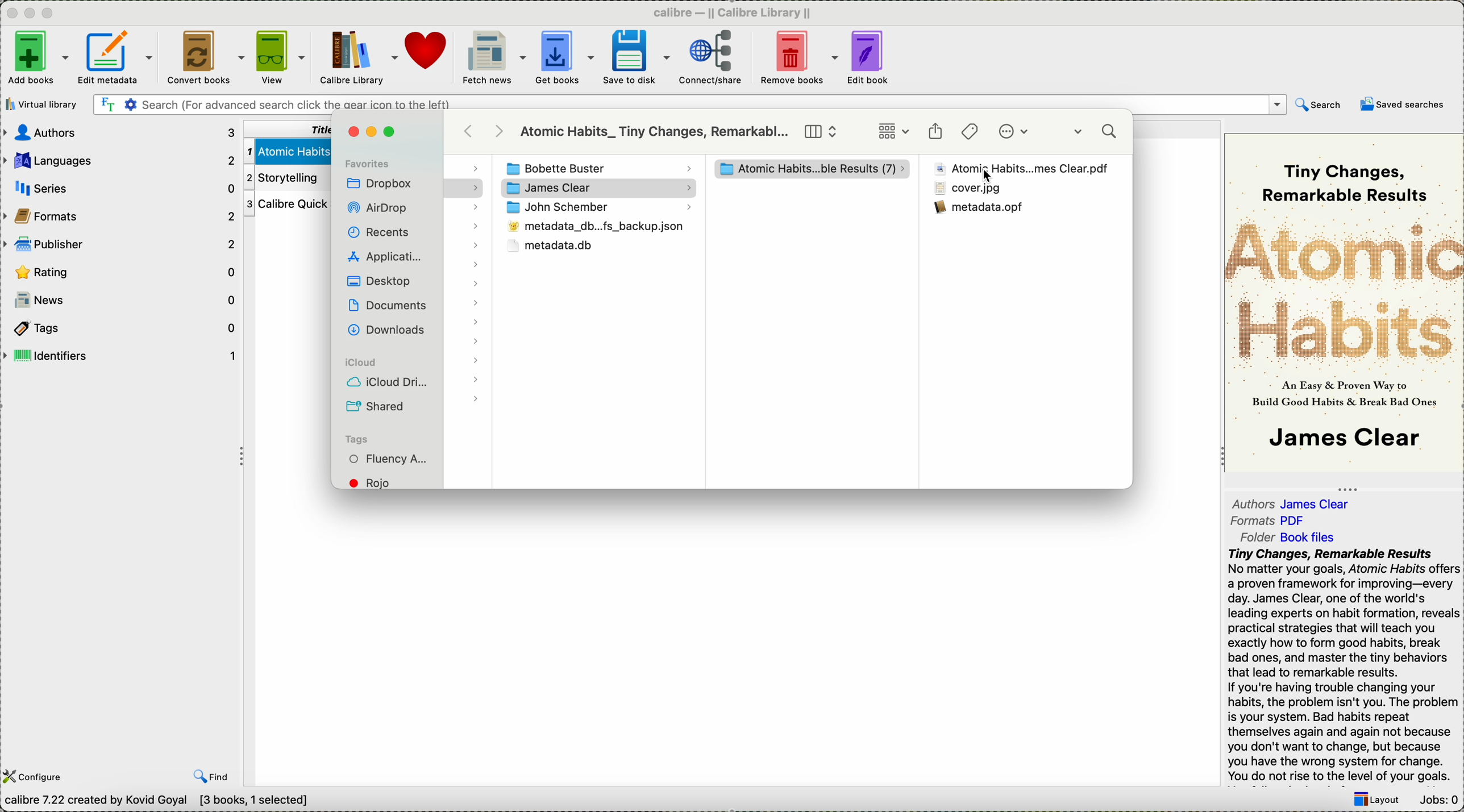  What do you see at coordinates (595, 169) in the screenshot?
I see `bobette buster` at bounding box center [595, 169].